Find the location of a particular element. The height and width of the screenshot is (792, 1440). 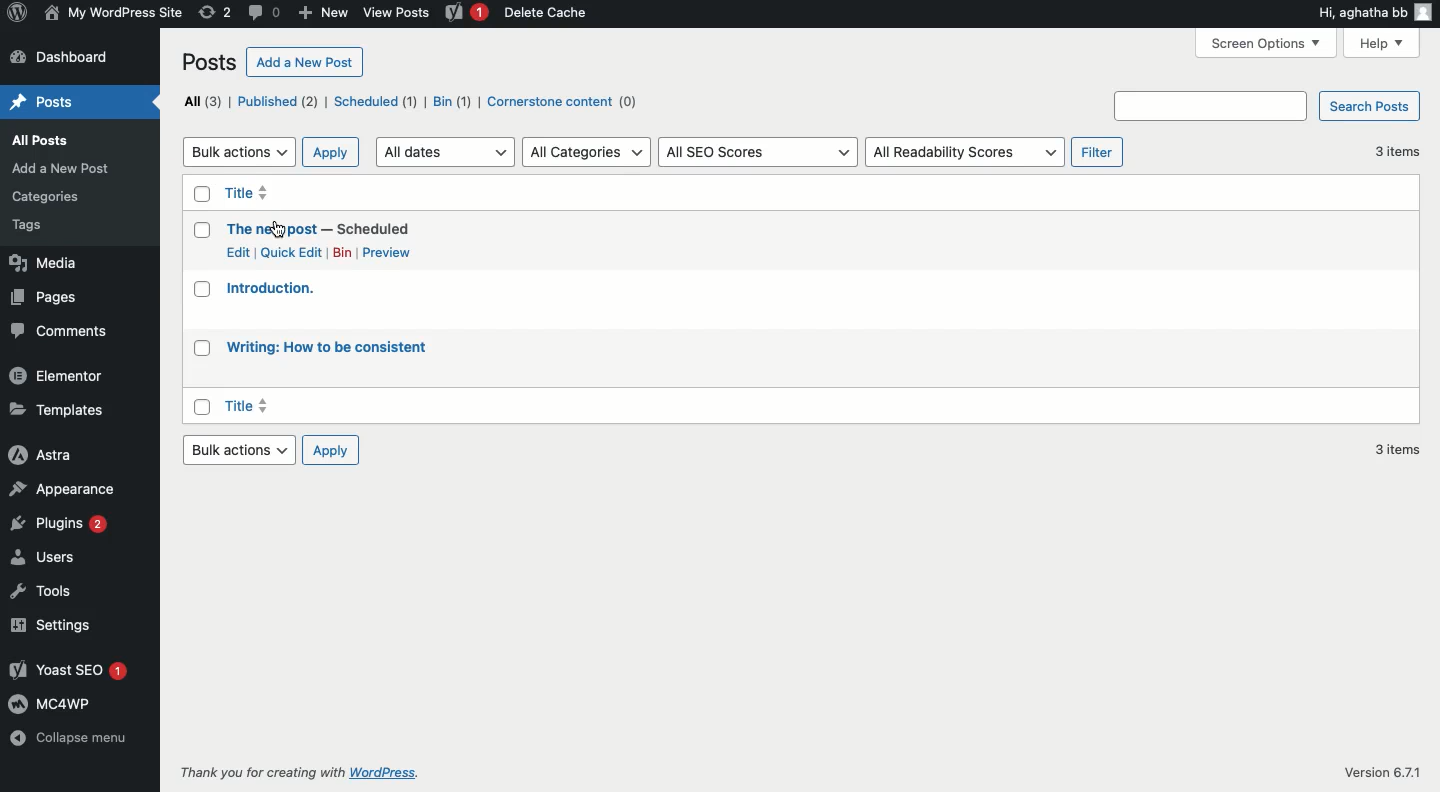

checkbox is located at coordinates (202, 347).